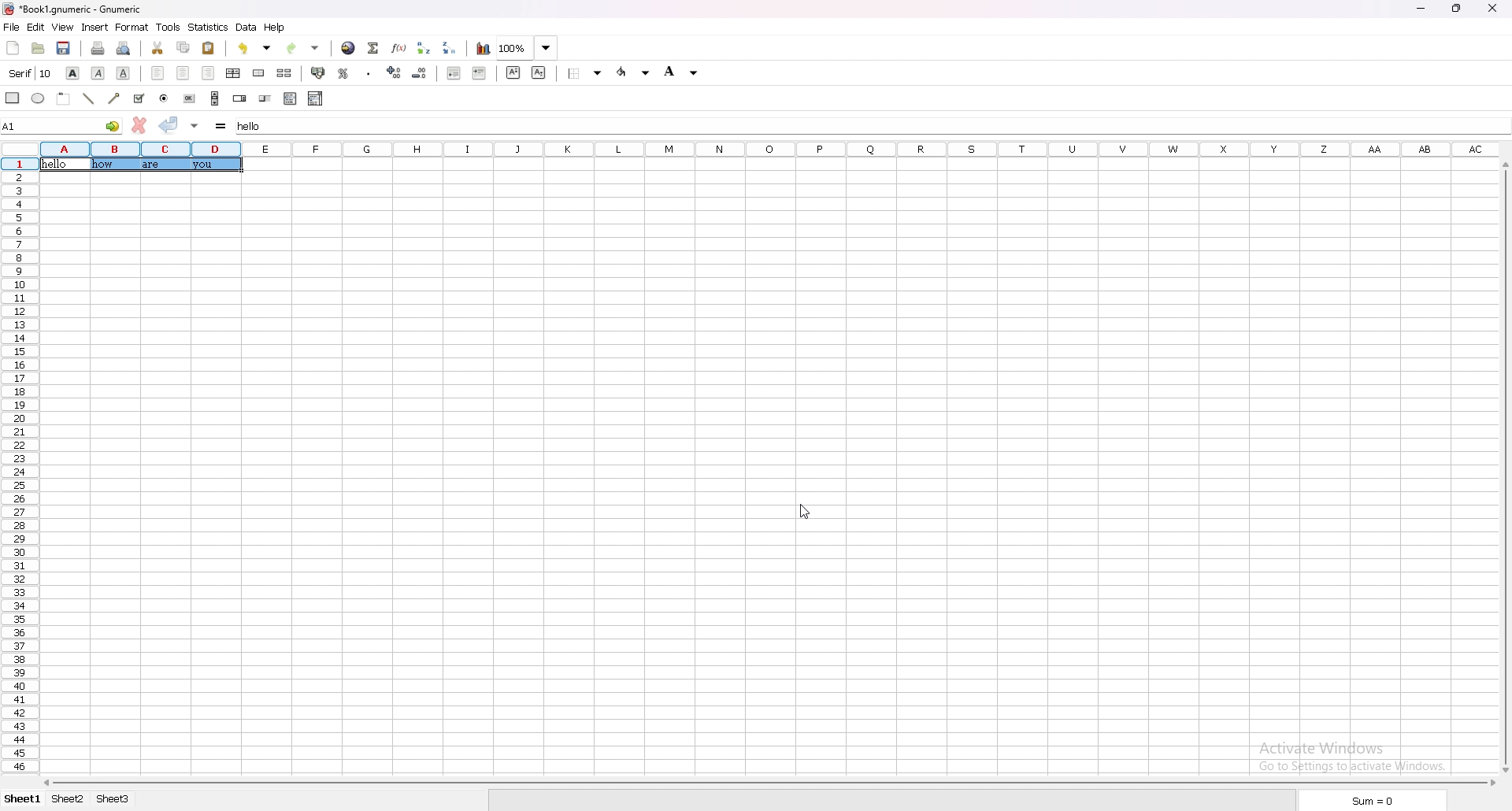 Image resolution: width=1512 pixels, height=811 pixels. Describe the element at coordinates (124, 72) in the screenshot. I see `underline` at that location.